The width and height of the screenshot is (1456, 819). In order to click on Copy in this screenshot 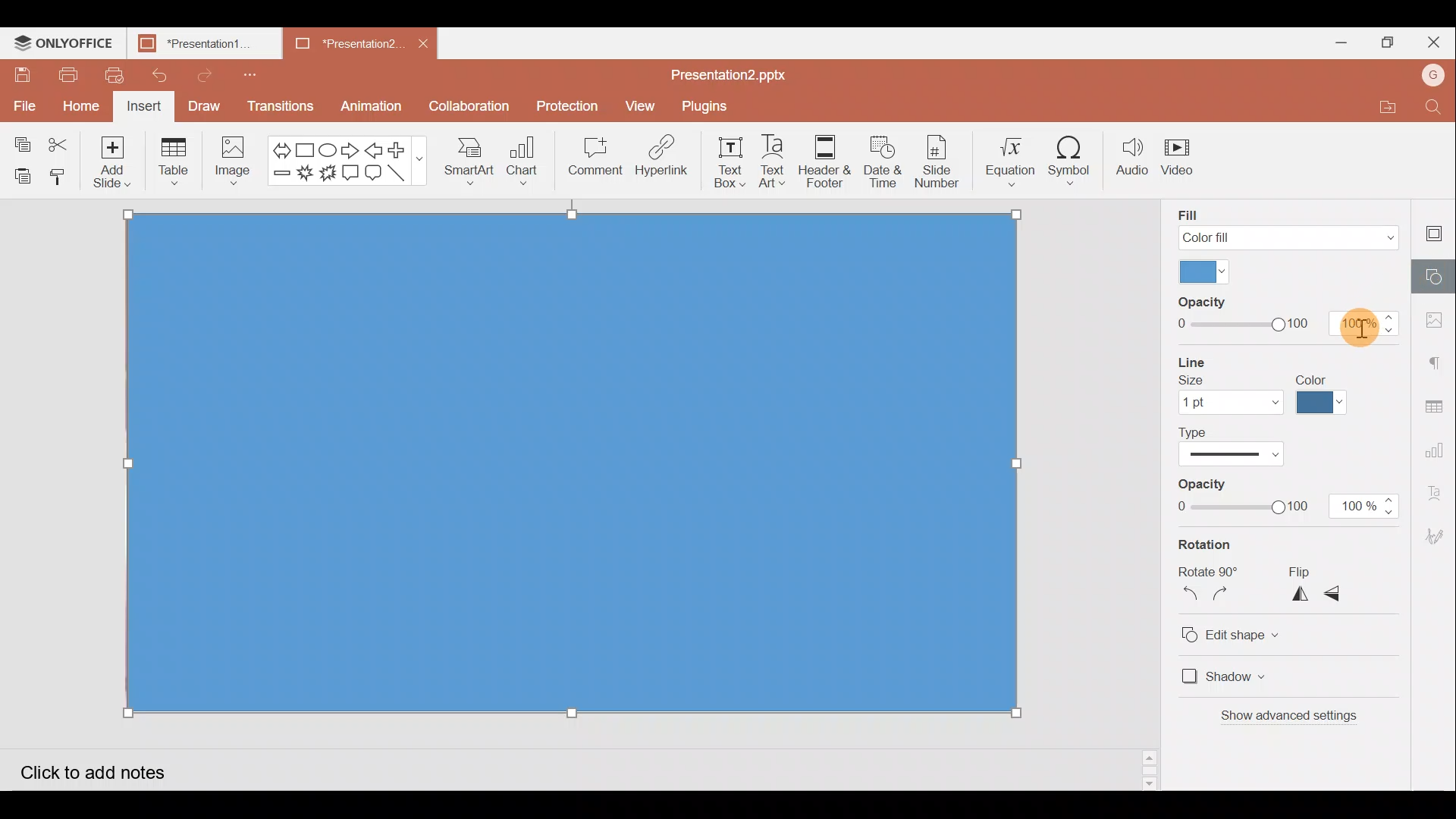, I will do `click(21, 137)`.